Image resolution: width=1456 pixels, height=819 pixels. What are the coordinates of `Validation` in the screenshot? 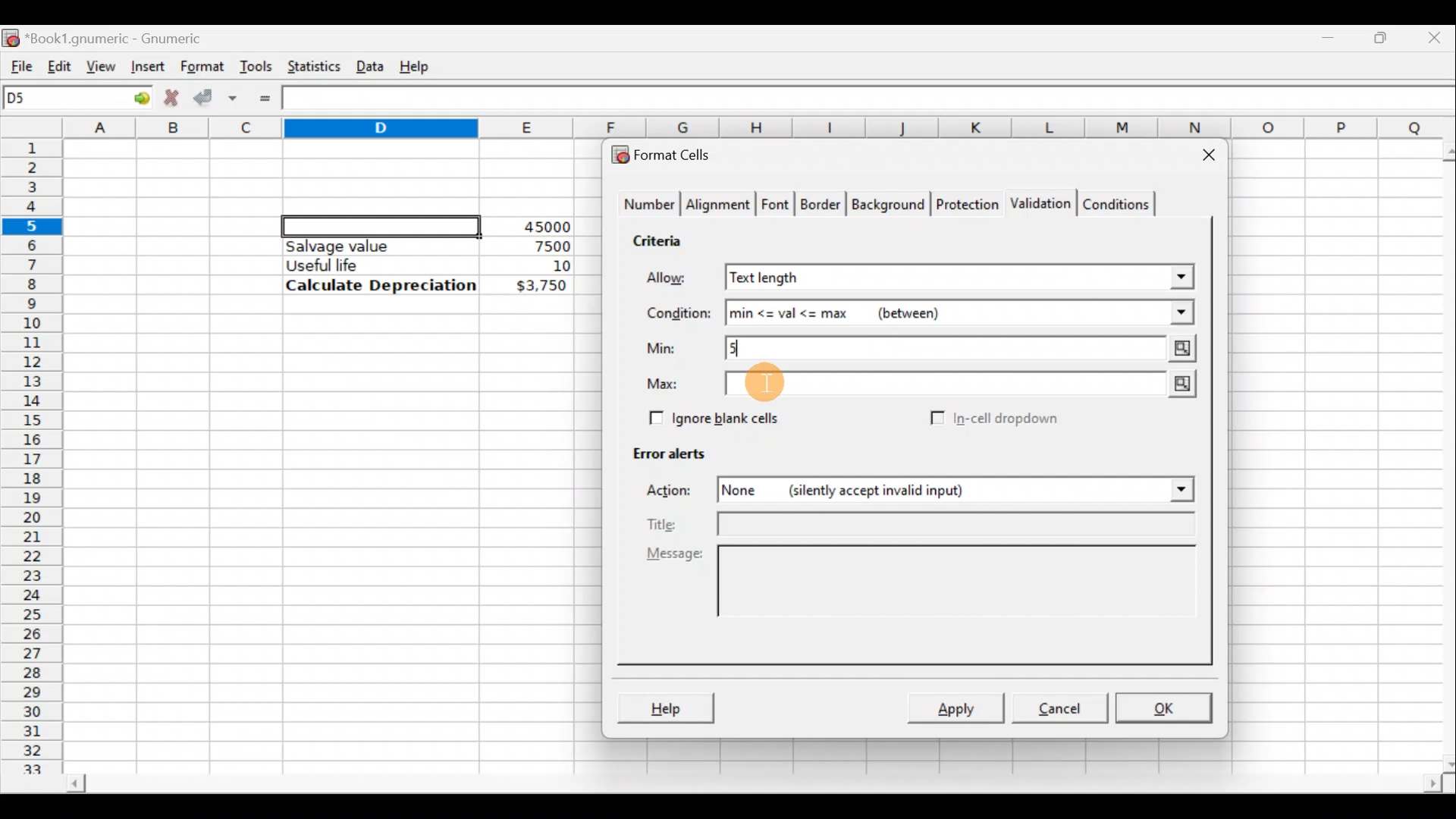 It's located at (1037, 205).